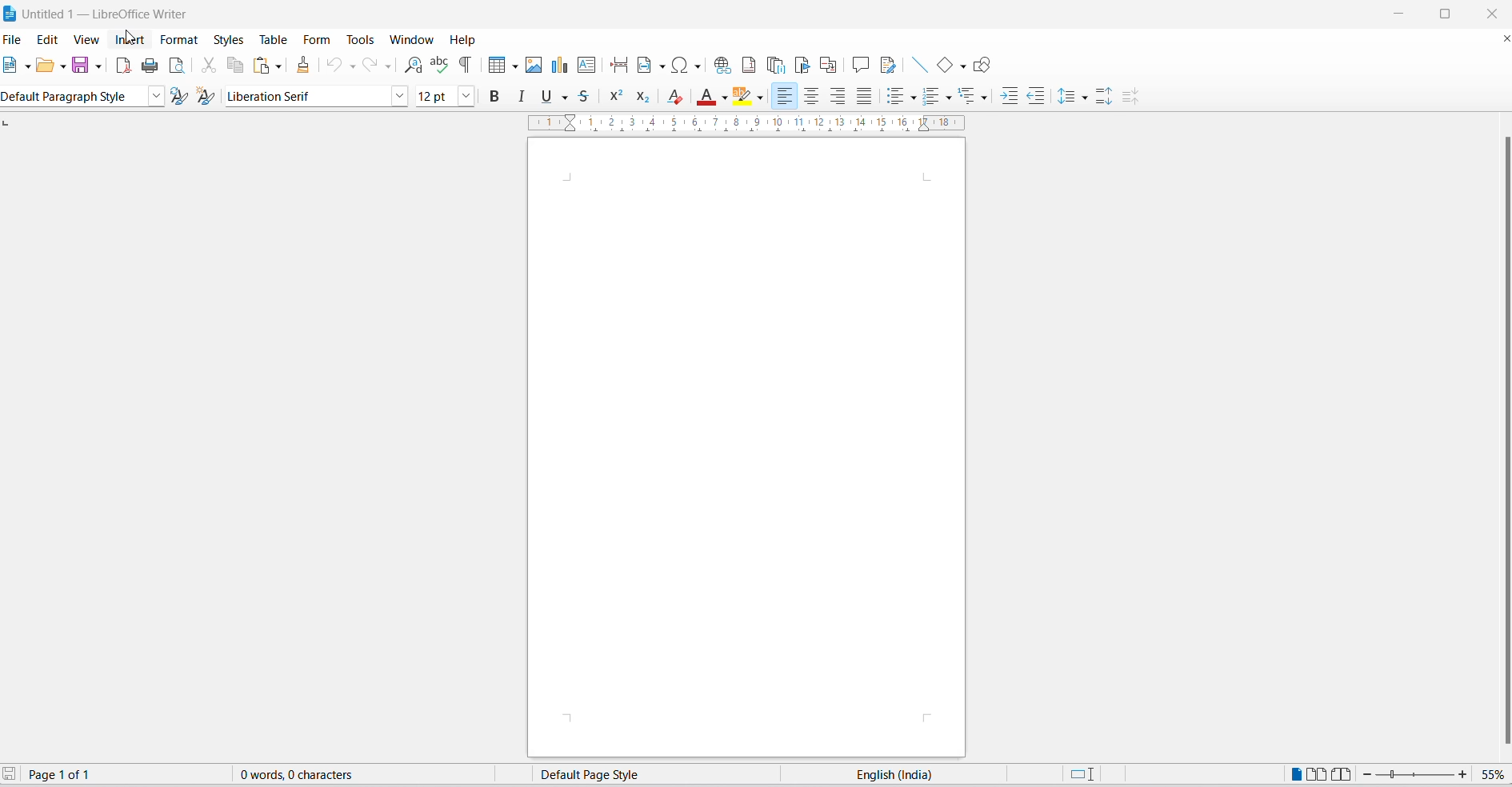 The image size is (1512, 787). Describe the element at coordinates (722, 64) in the screenshot. I see `insert hyperlink` at that location.